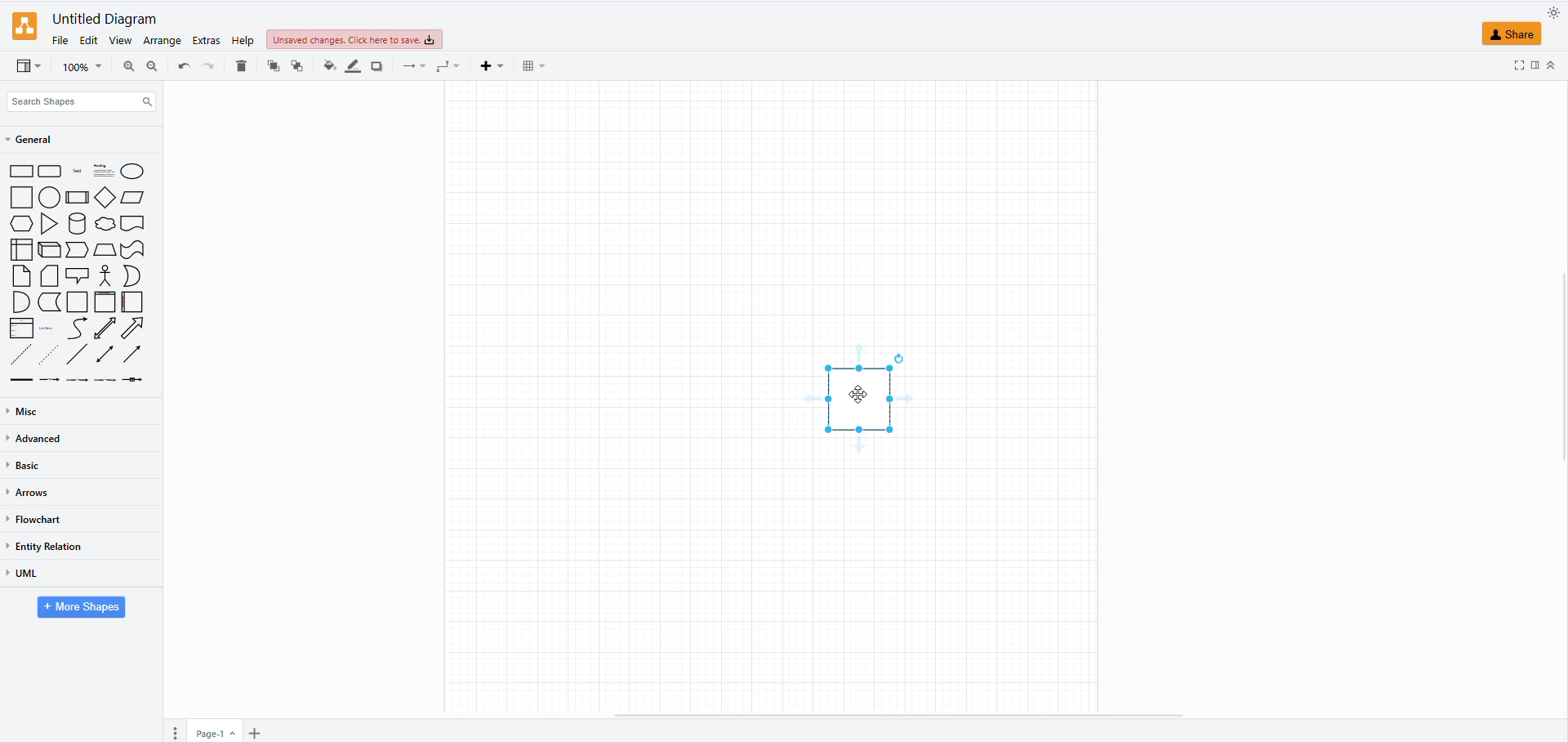 The height and width of the screenshot is (742, 1568). What do you see at coordinates (131, 302) in the screenshot?
I see `horizontal container` at bounding box center [131, 302].